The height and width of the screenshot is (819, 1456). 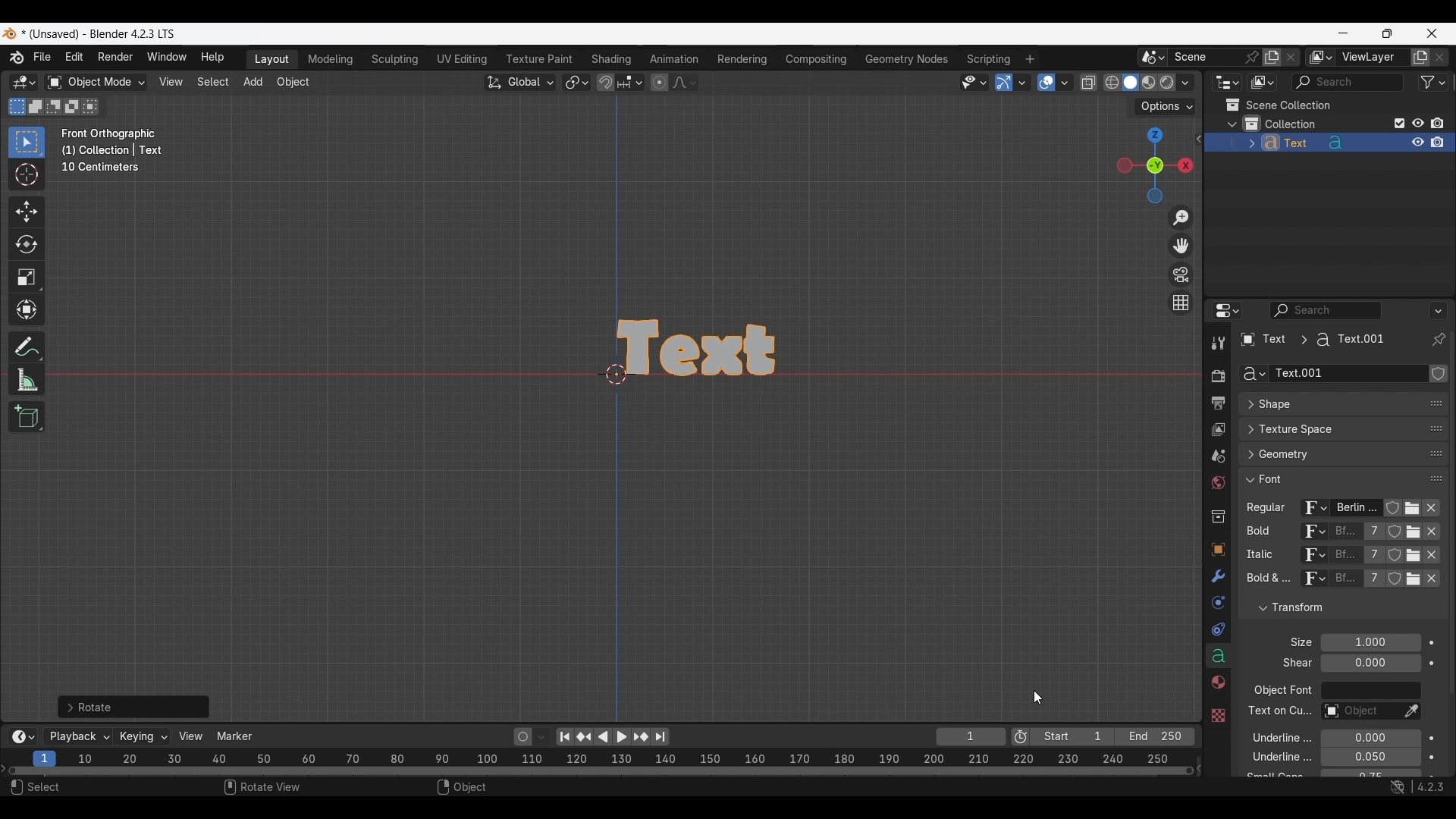 What do you see at coordinates (1344, 33) in the screenshot?
I see `Minimize` at bounding box center [1344, 33].